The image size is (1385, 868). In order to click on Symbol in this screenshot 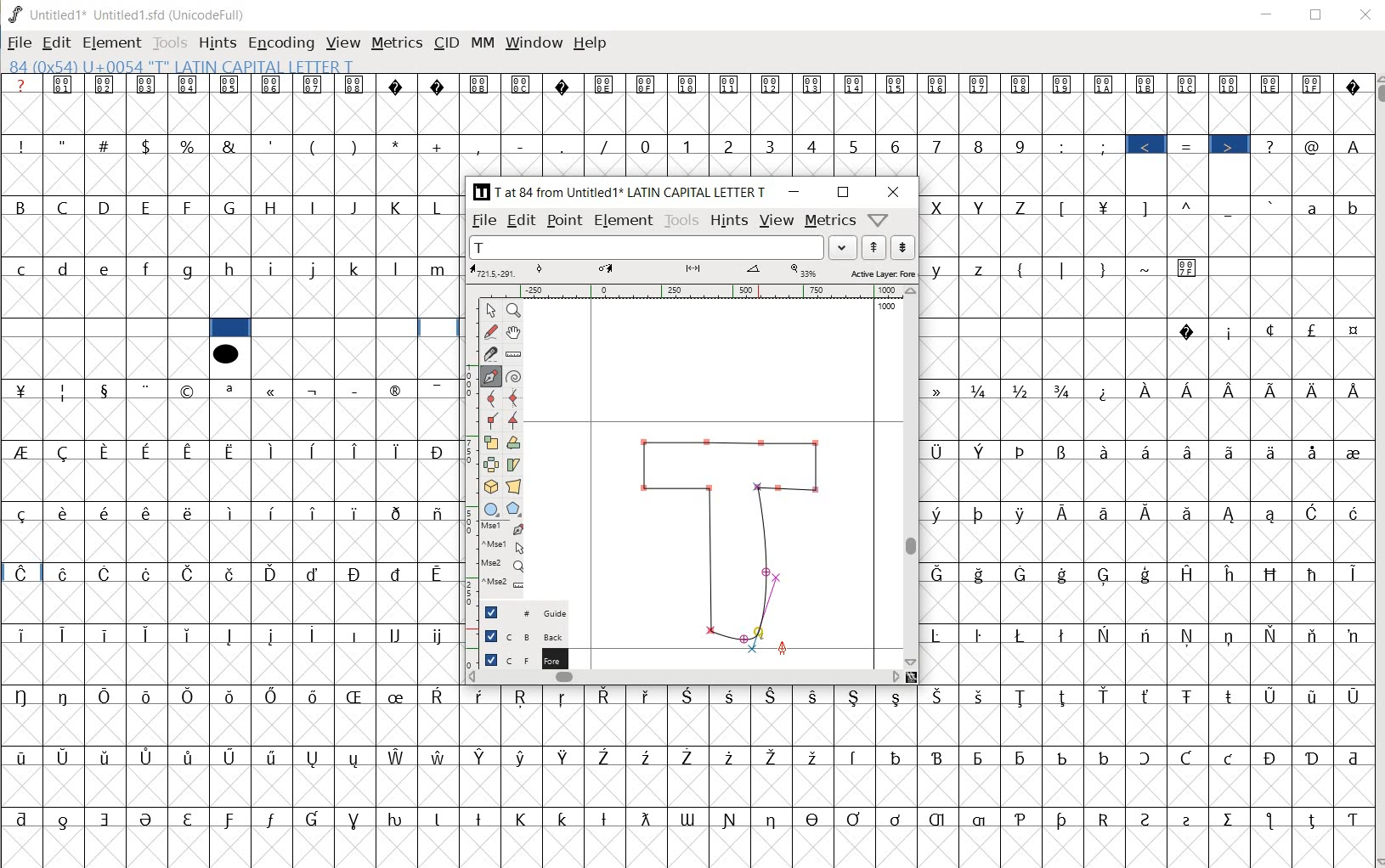, I will do `click(1105, 574)`.